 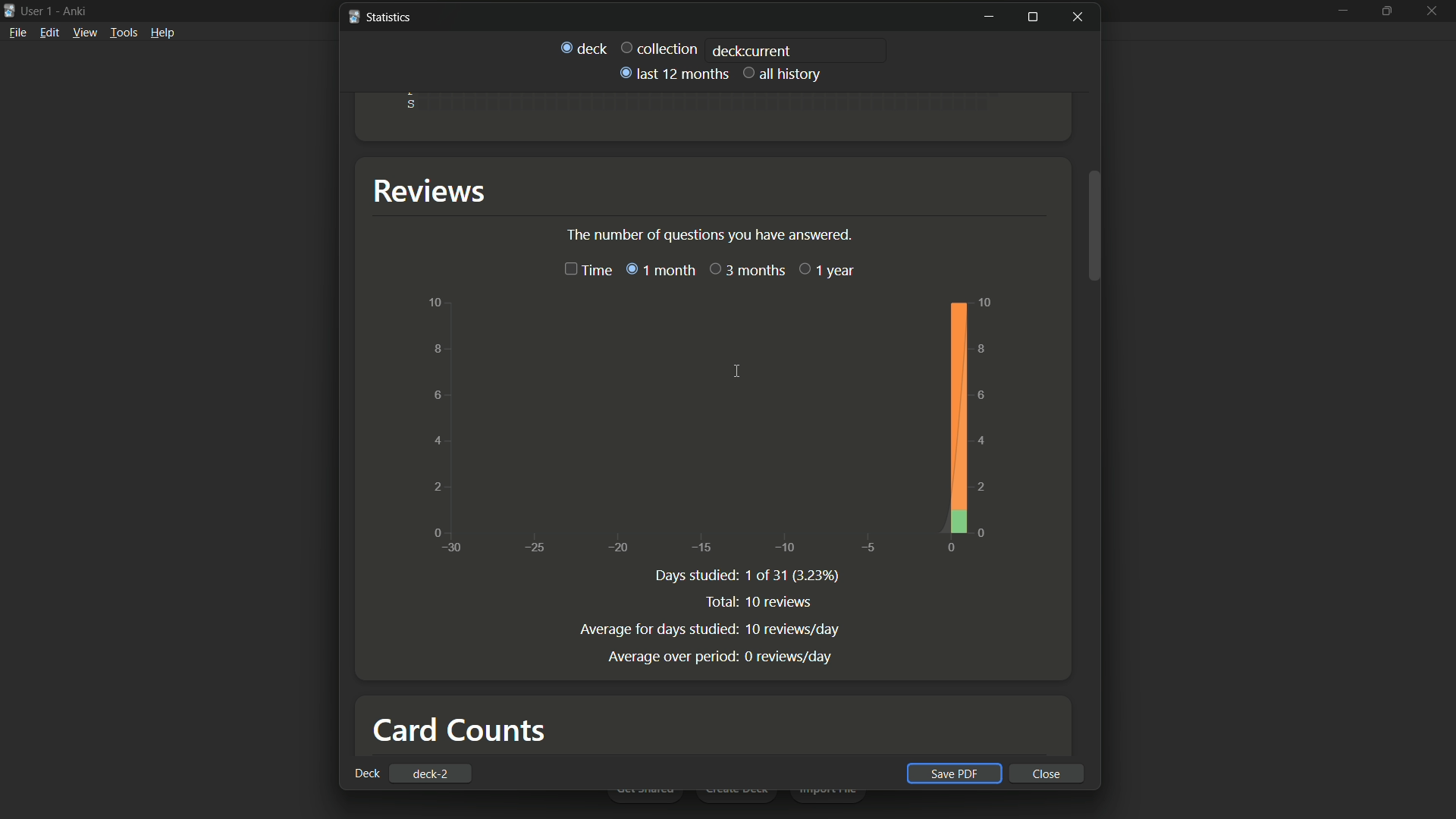 I want to click on Average over period, so click(x=672, y=654).